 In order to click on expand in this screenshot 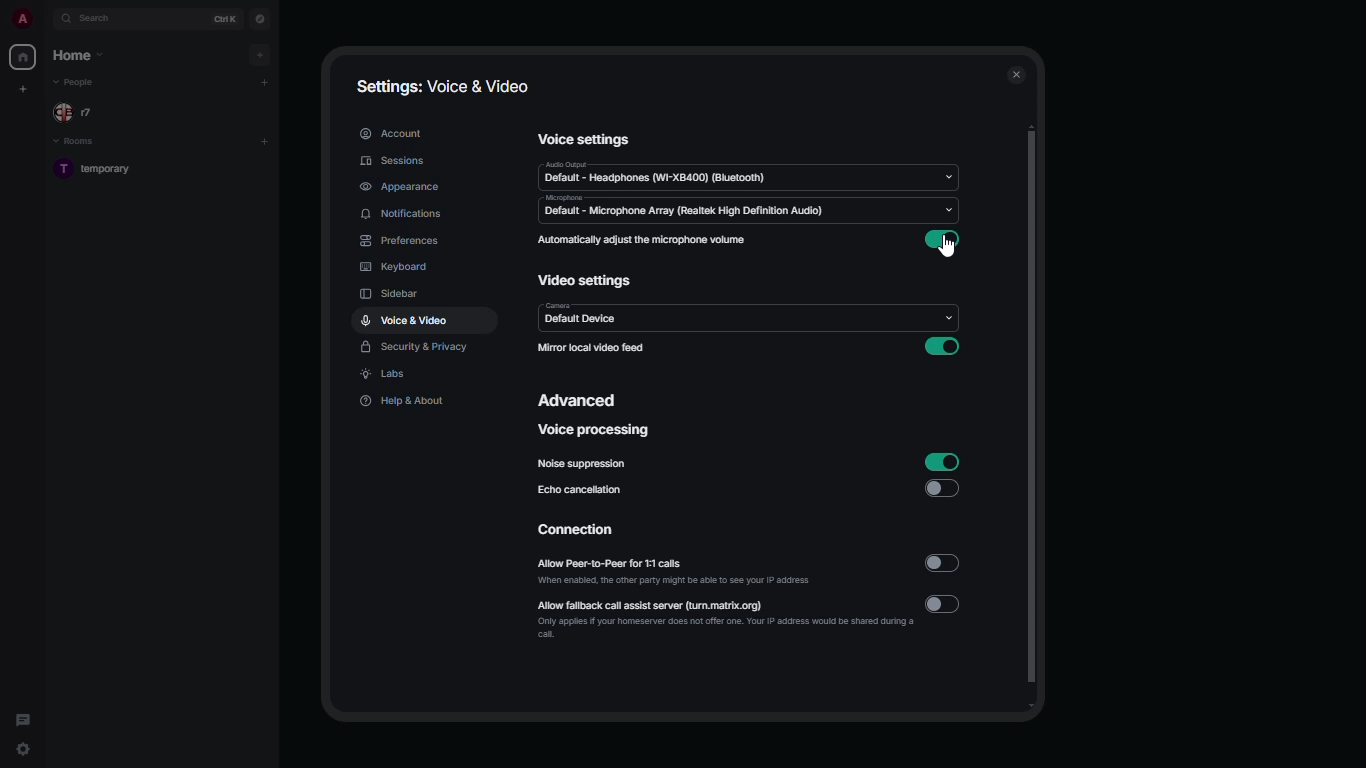, I will do `click(47, 19)`.